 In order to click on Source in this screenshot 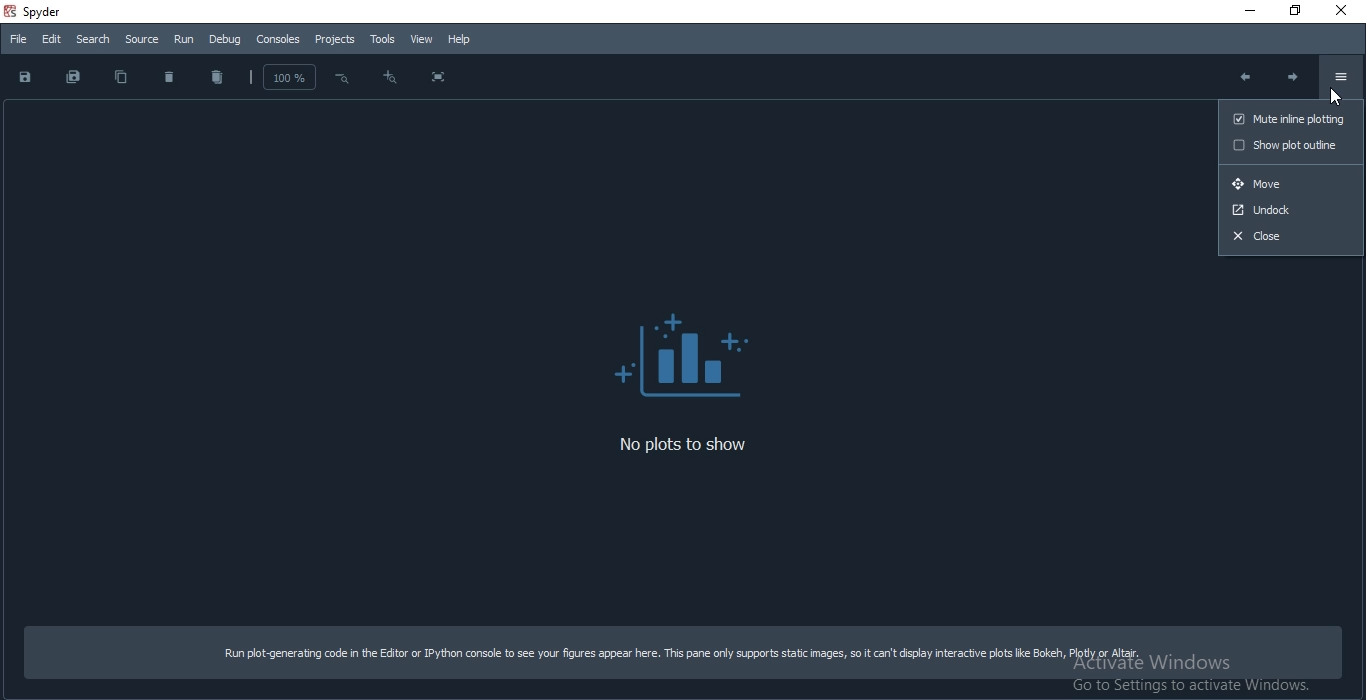, I will do `click(142, 40)`.